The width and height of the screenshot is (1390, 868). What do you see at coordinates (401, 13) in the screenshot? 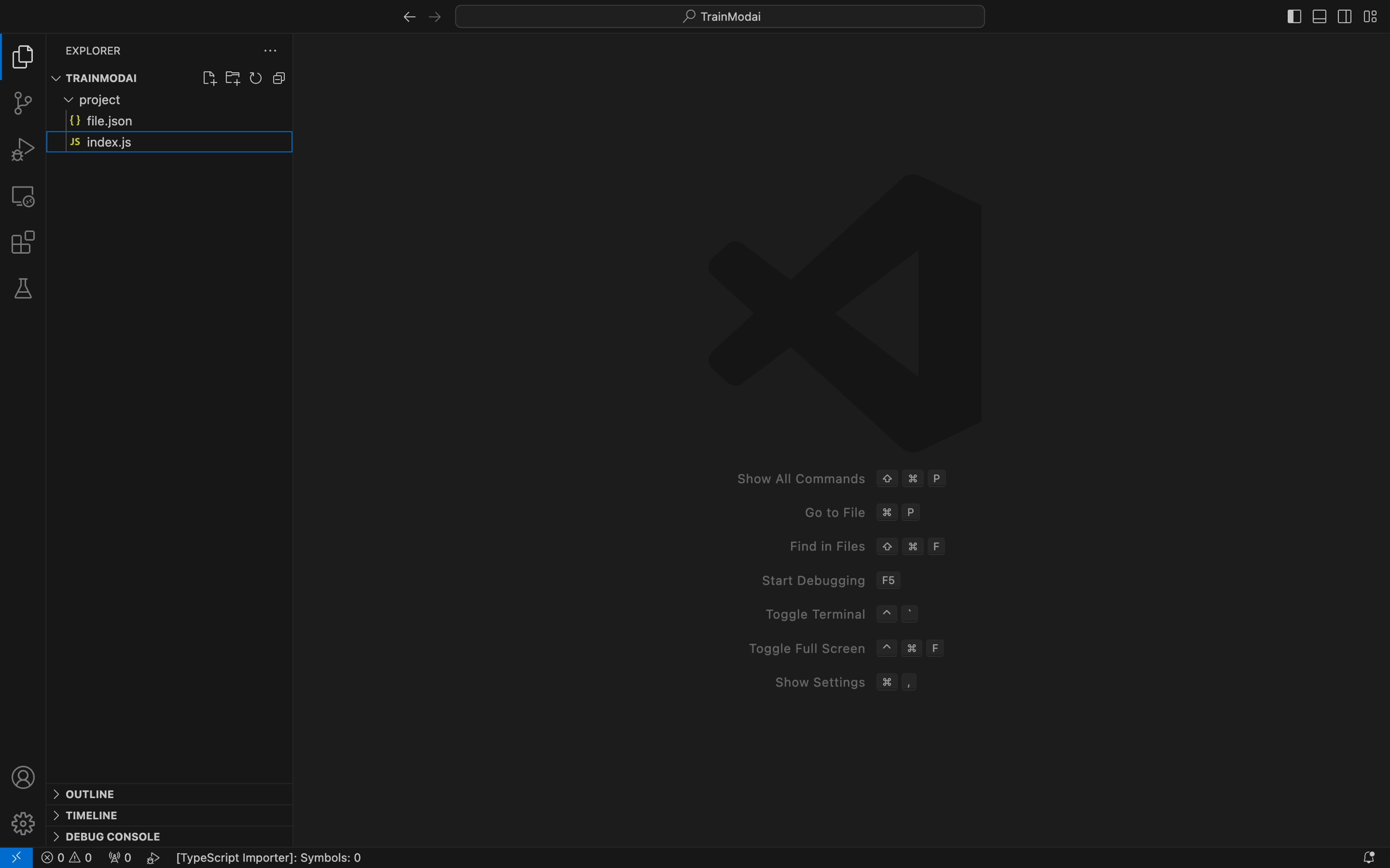
I see `right arrow` at bounding box center [401, 13].